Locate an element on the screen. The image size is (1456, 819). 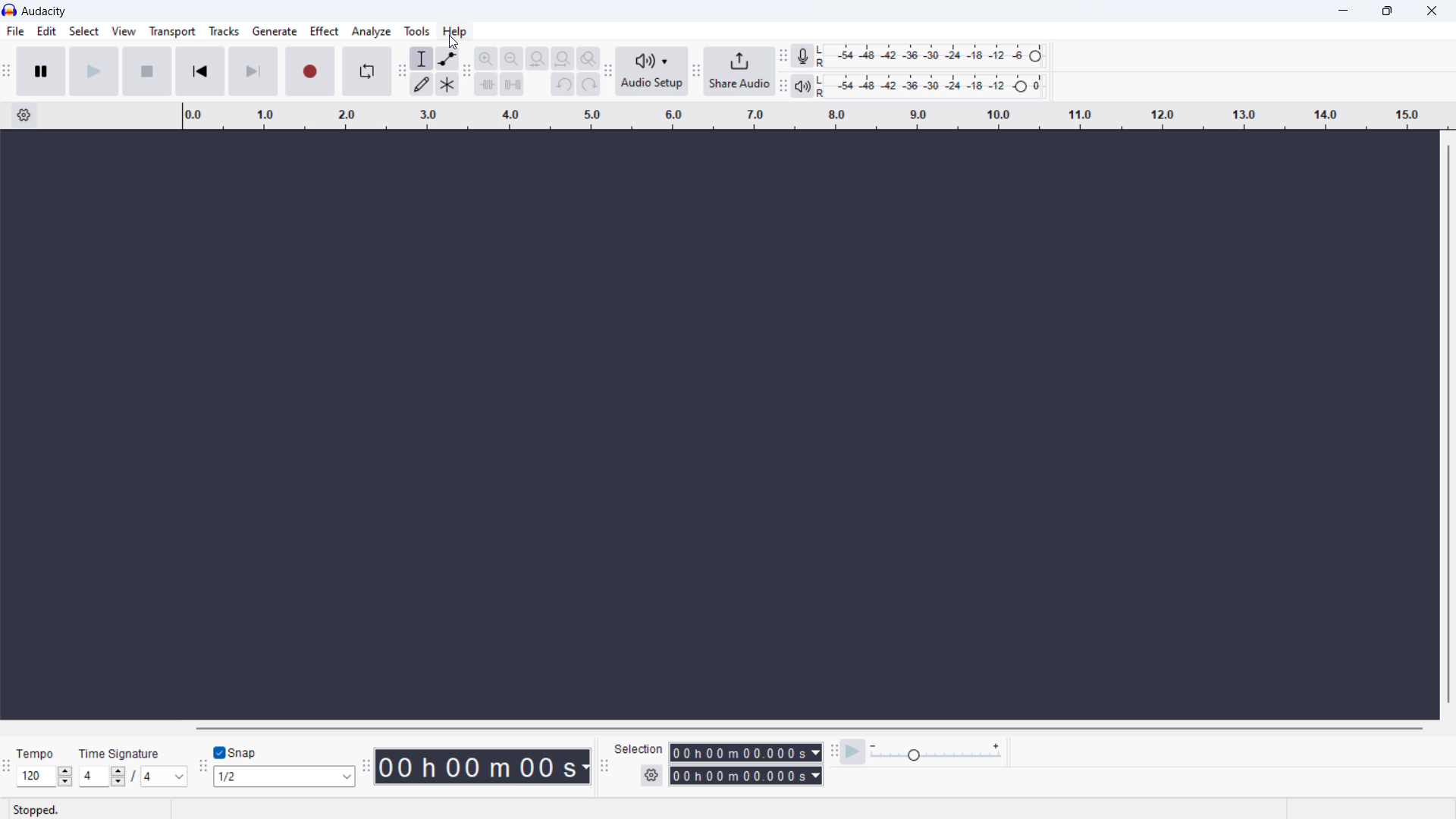
skip to last is located at coordinates (253, 71).